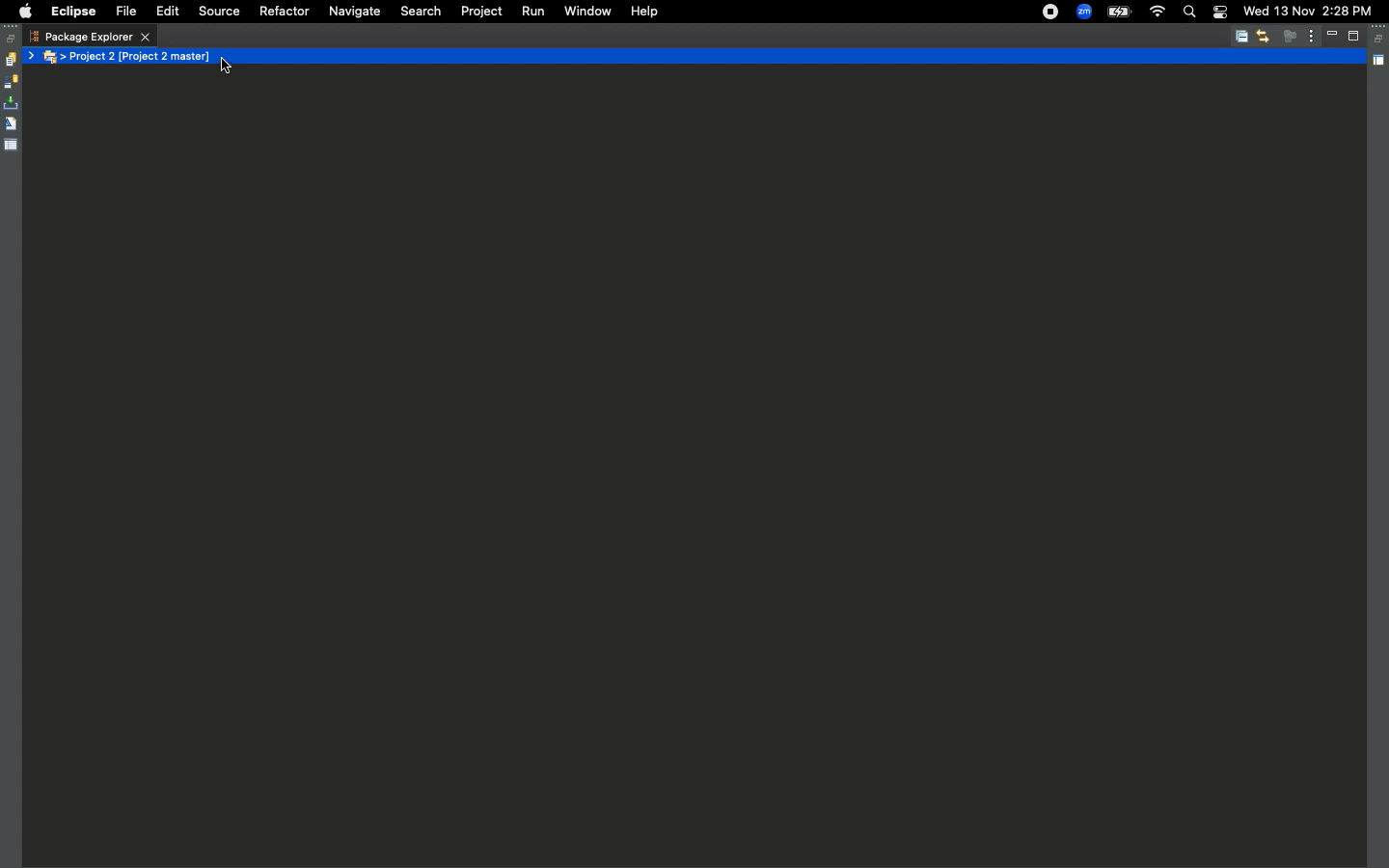 The image size is (1389, 868). I want to click on Synchronize, so click(11, 82).